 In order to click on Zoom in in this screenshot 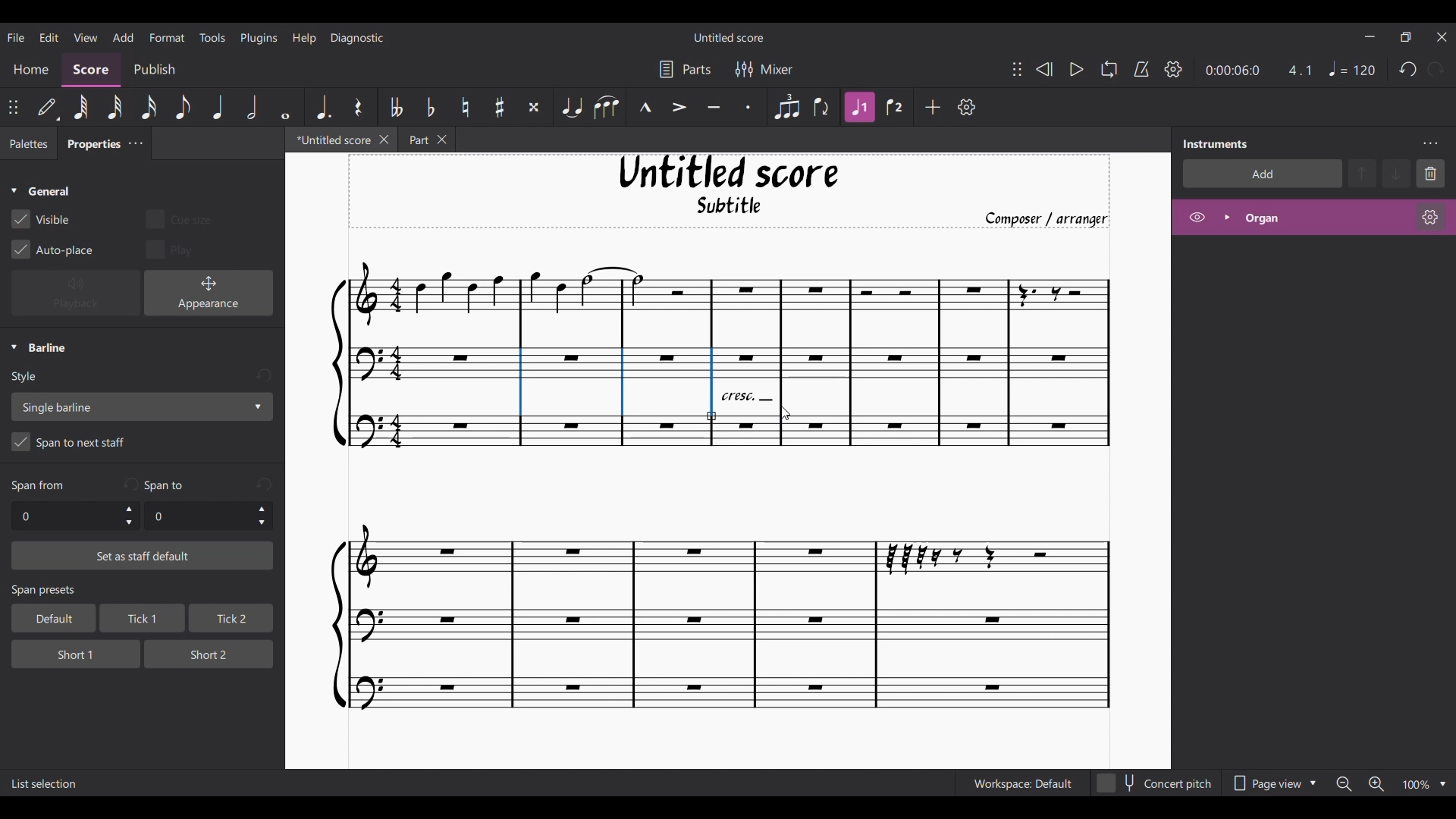, I will do `click(1376, 785)`.